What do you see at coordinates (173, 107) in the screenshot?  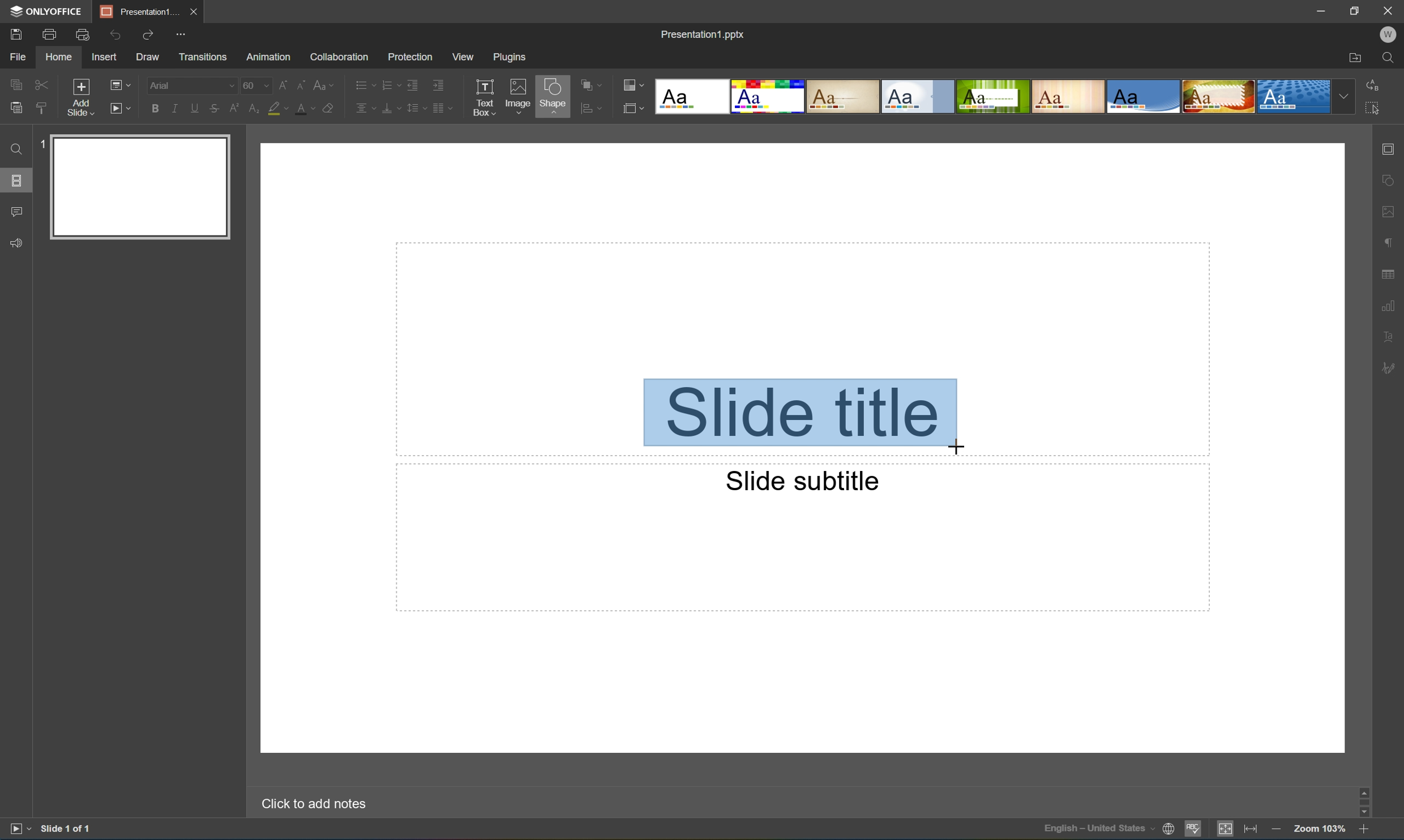 I see `Italic` at bounding box center [173, 107].